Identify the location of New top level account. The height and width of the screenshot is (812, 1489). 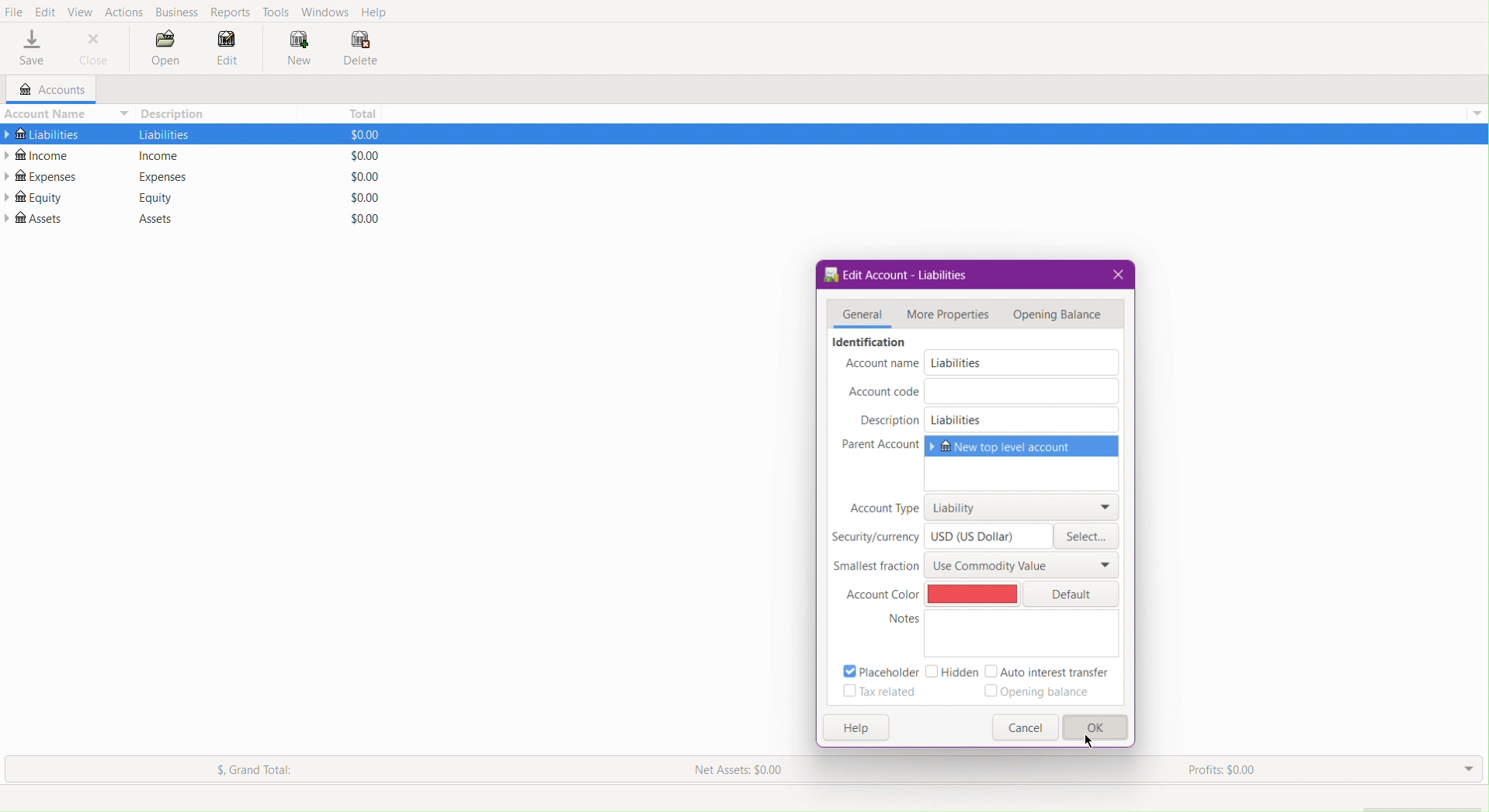
(1022, 446).